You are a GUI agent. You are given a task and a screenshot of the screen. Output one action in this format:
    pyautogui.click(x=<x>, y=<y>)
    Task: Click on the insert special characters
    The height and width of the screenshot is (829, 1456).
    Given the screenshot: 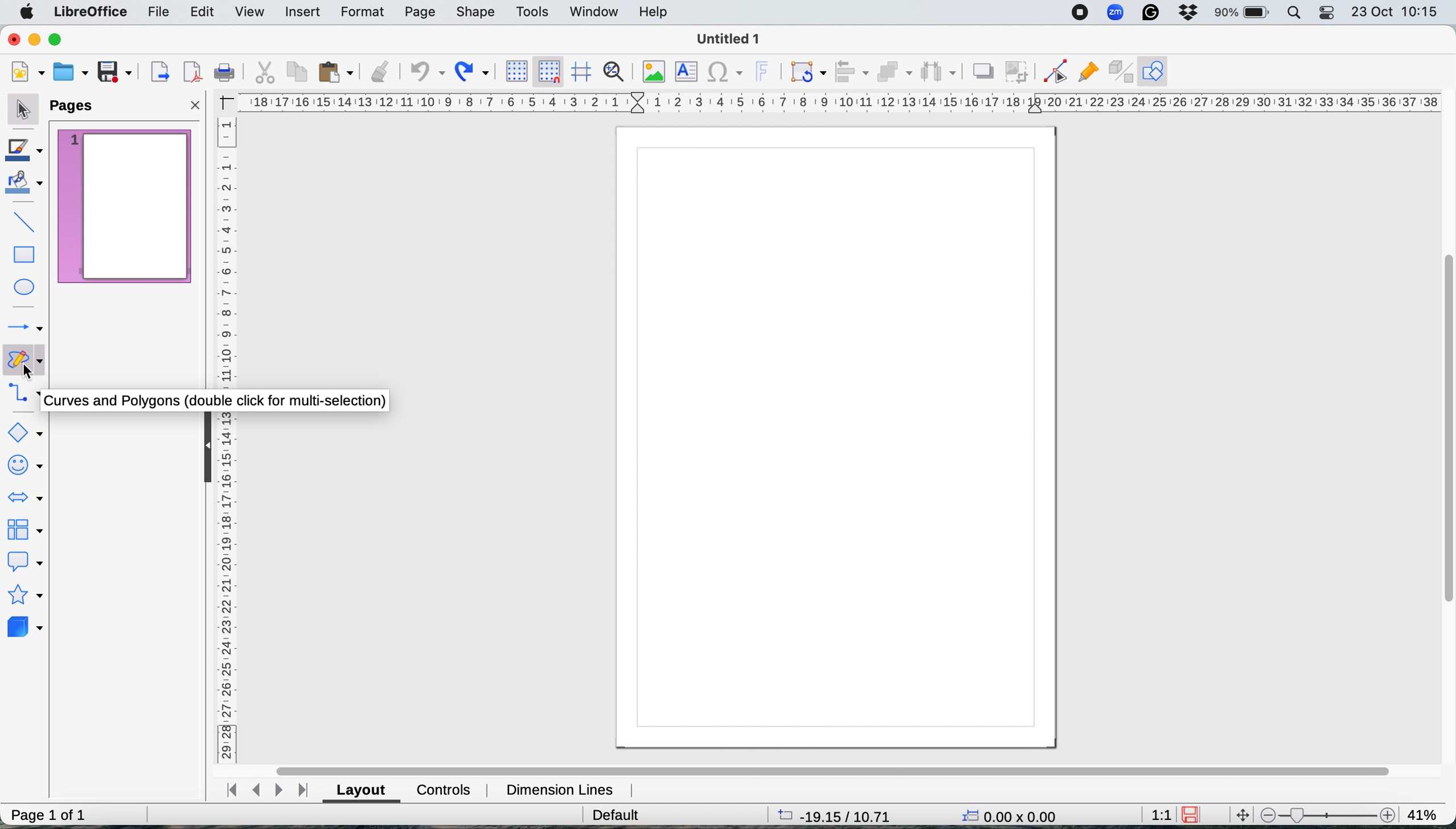 What is the action you would take?
    pyautogui.click(x=727, y=73)
    